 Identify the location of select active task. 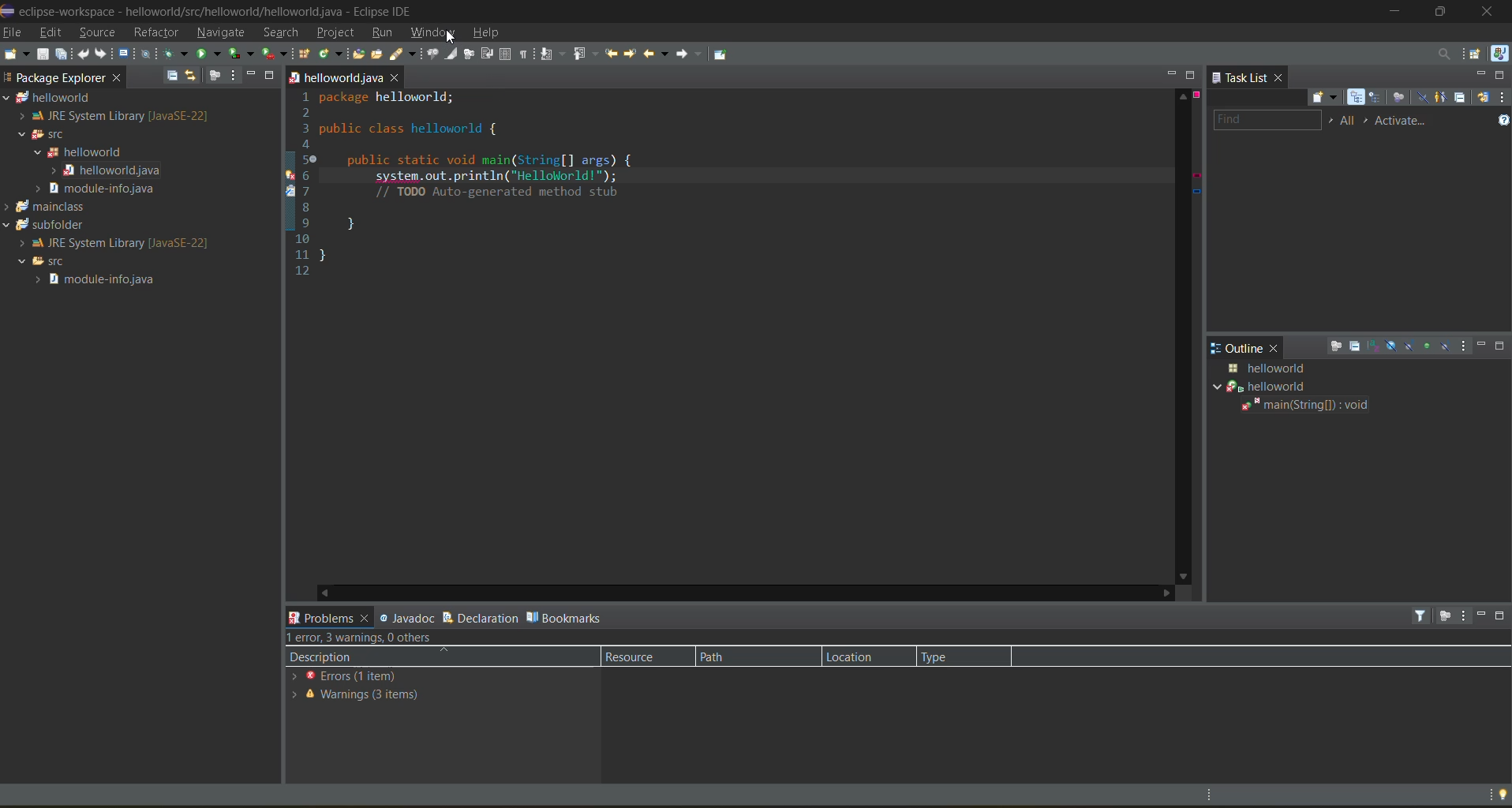
(1367, 121).